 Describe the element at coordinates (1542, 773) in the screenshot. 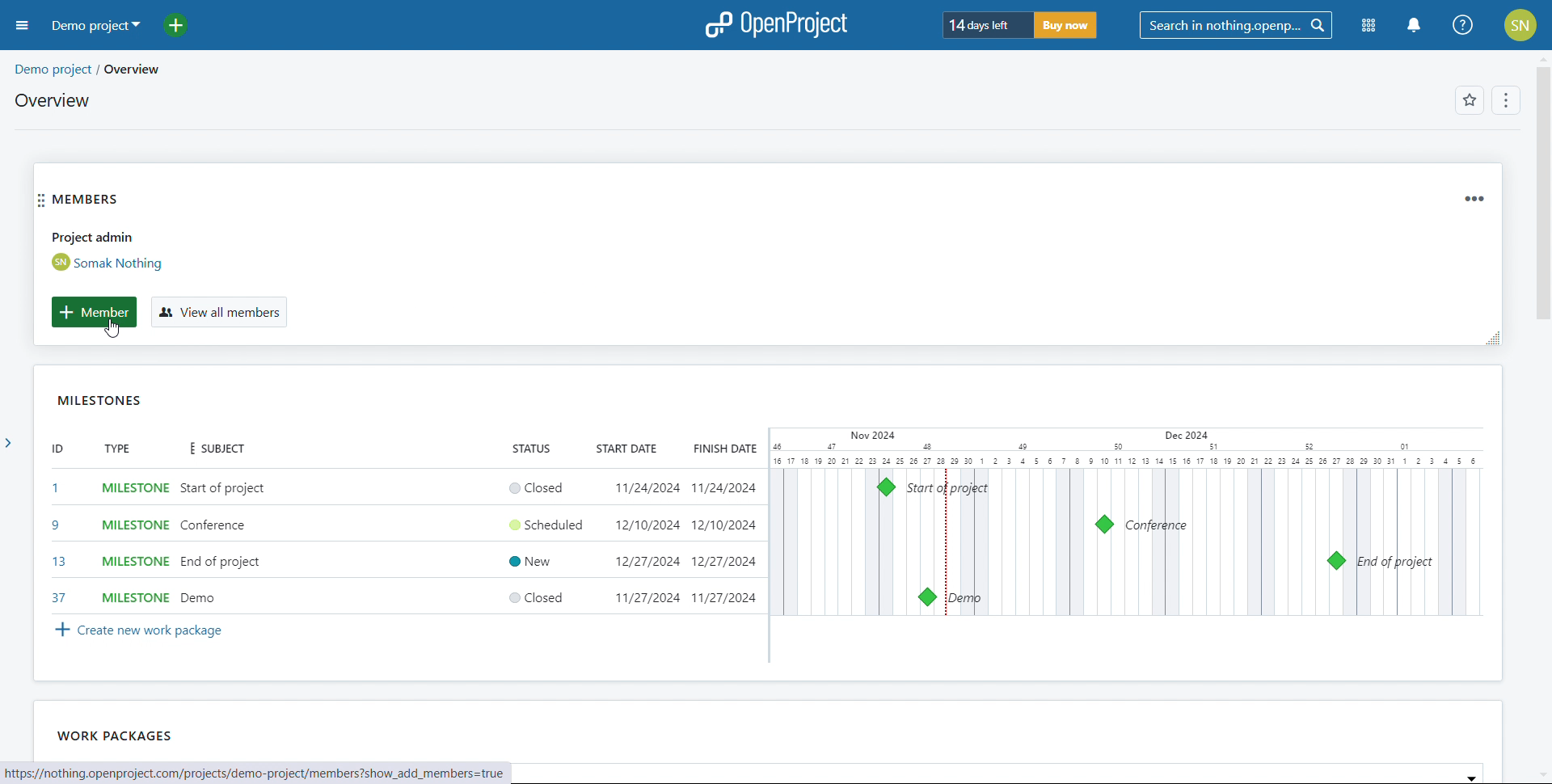

I see `scroll down` at that location.